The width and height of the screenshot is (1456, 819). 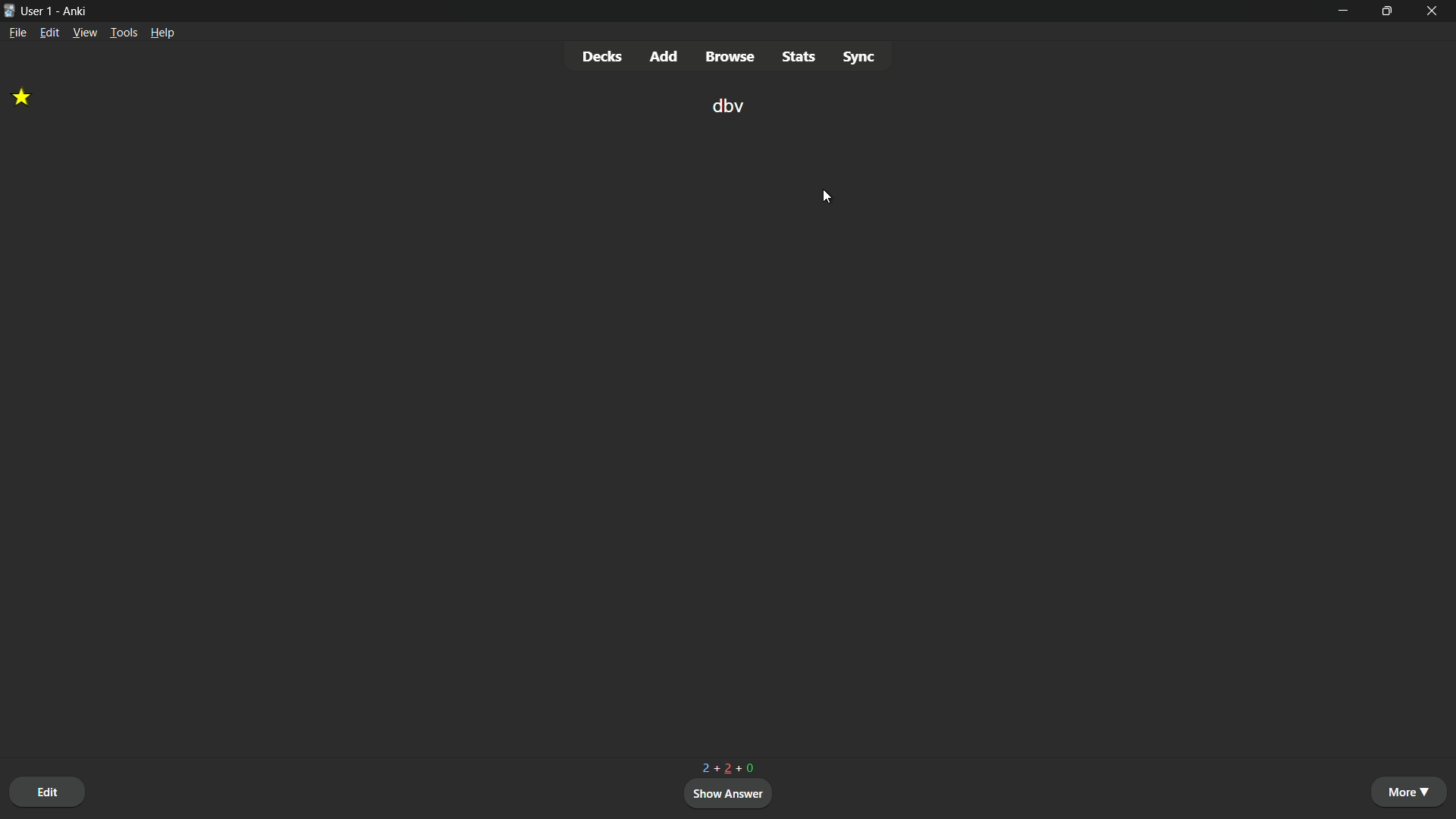 I want to click on 2+2+0, so click(x=729, y=766).